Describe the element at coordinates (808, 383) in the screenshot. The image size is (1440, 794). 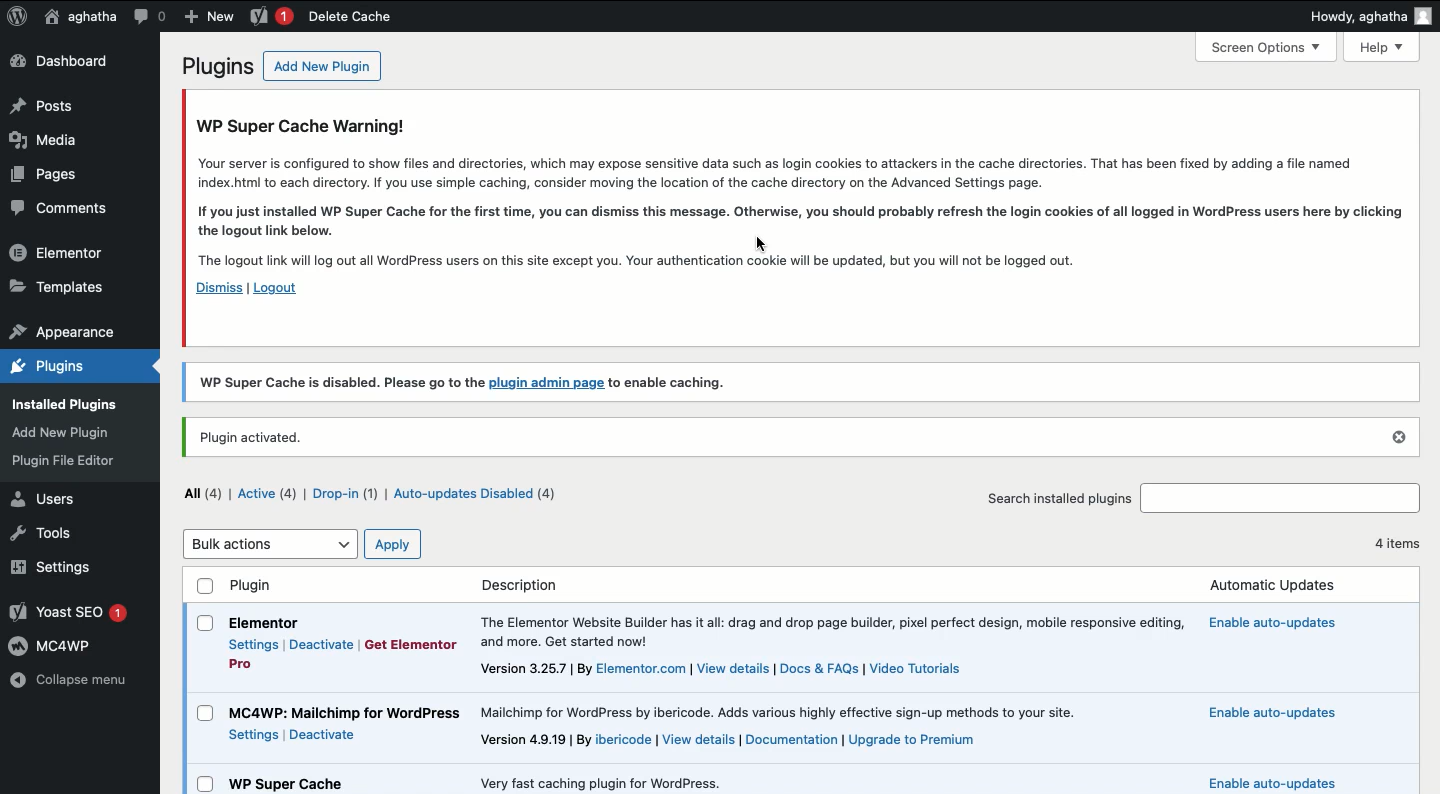
I see `WP Super cache is disabled` at that location.